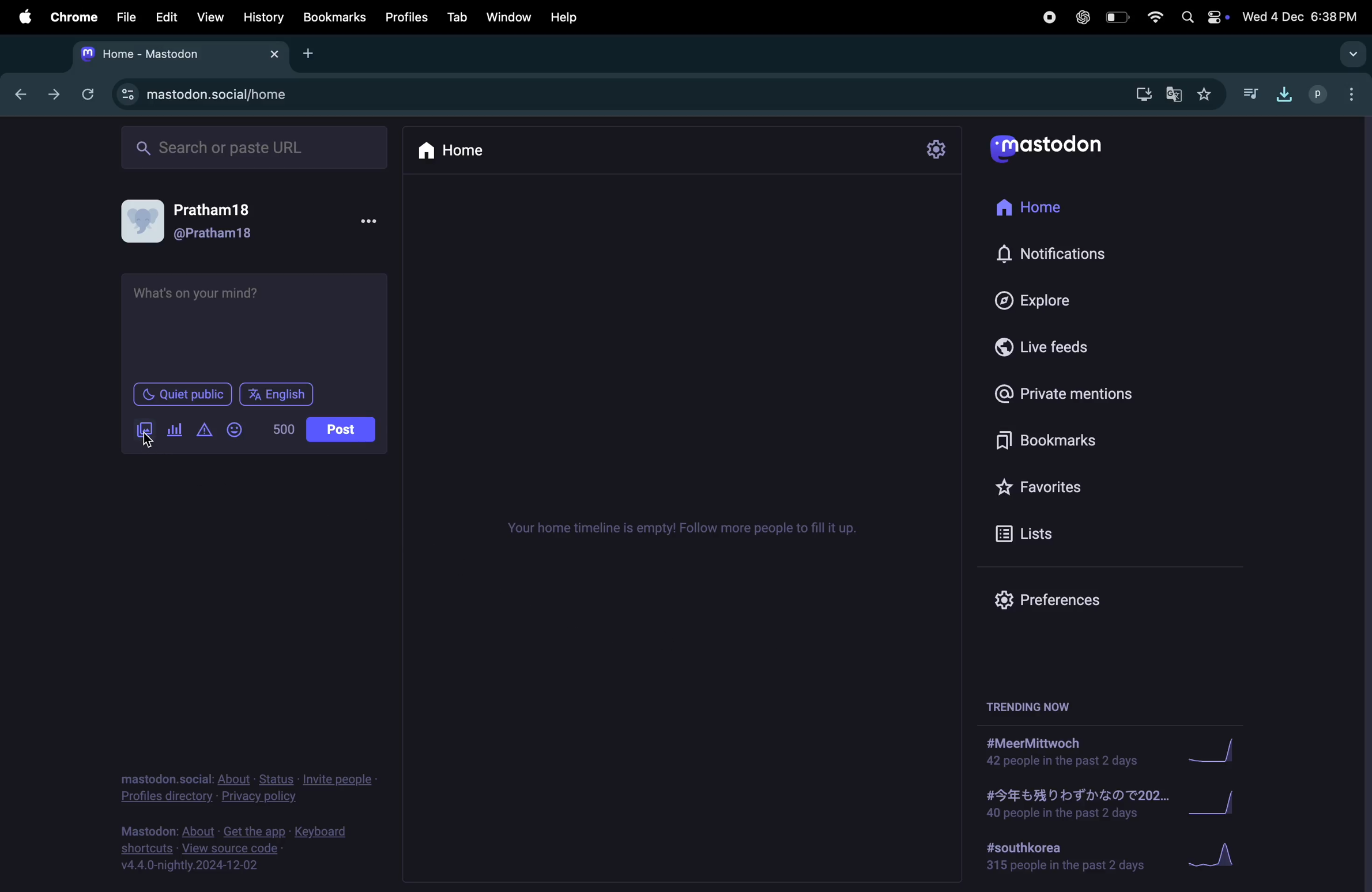 This screenshot has width=1372, height=892. What do you see at coordinates (1071, 805) in the screenshot?
I see `japanese` at bounding box center [1071, 805].